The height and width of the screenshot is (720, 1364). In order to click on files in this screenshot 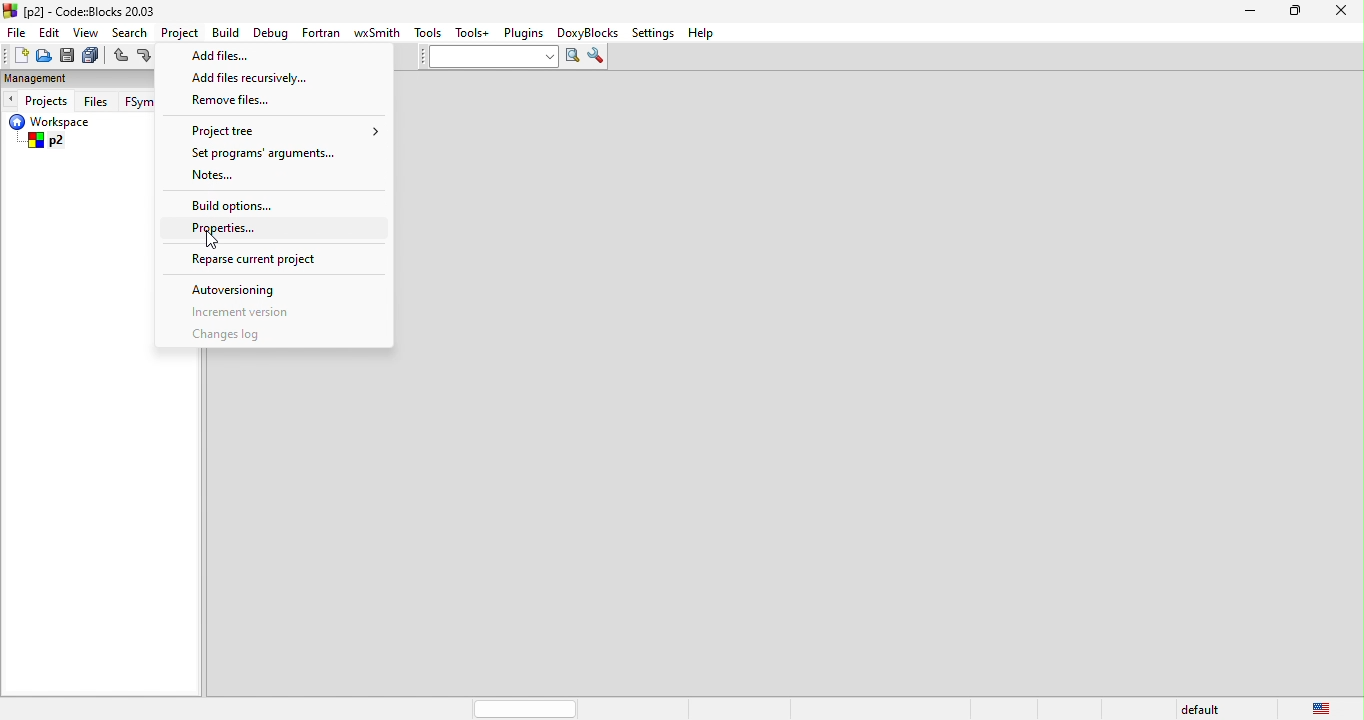, I will do `click(99, 100)`.